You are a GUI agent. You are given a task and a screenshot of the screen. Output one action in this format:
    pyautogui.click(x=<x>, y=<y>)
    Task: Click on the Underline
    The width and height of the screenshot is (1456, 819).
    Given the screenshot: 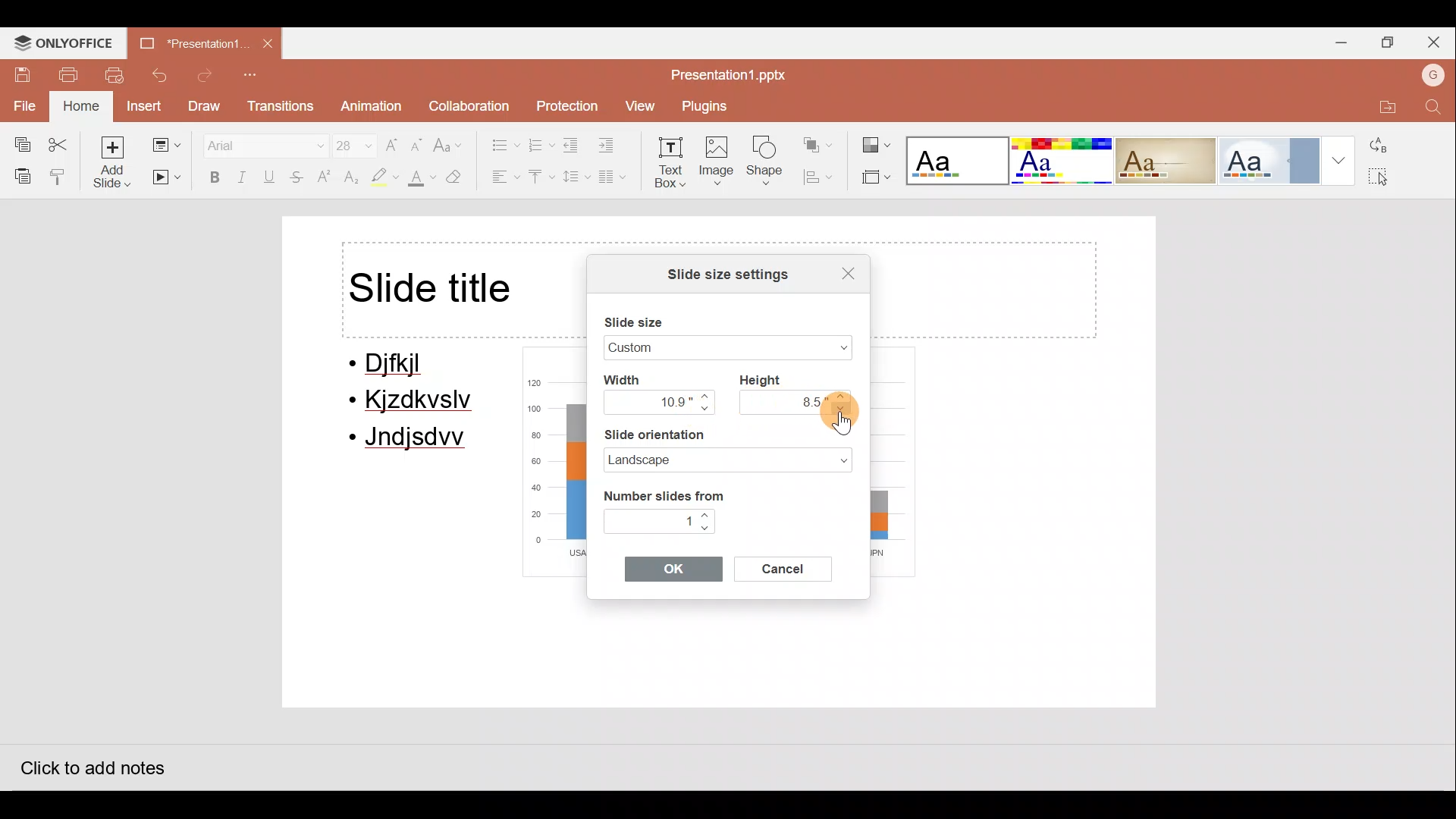 What is the action you would take?
    pyautogui.click(x=272, y=177)
    